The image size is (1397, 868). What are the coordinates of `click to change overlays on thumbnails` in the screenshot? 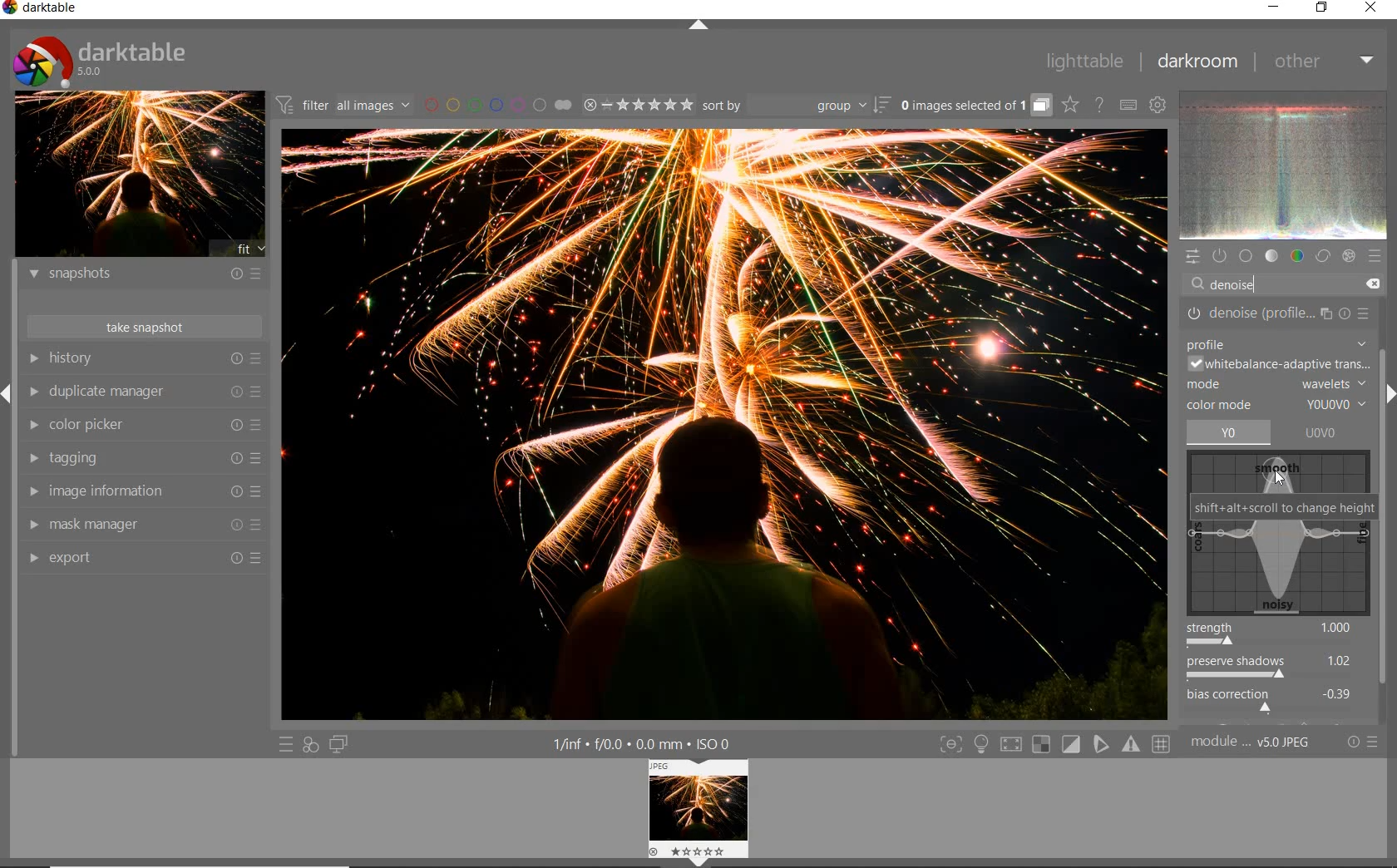 It's located at (1069, 104).